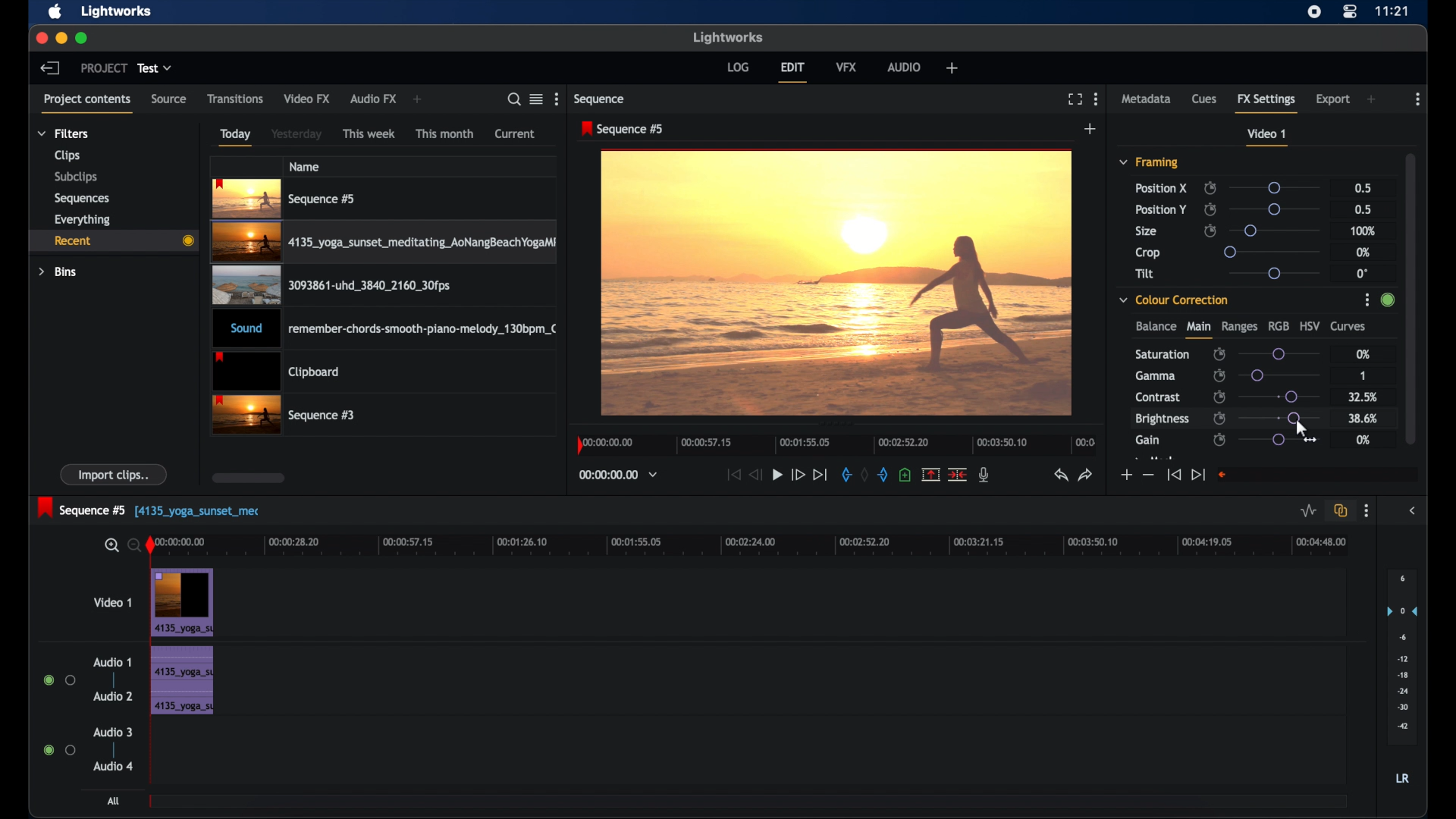 The width and height of the screenshot is (1456, 819). Describe the element at coordinates (49, 67) in the screenshot. I see `back` at that location.